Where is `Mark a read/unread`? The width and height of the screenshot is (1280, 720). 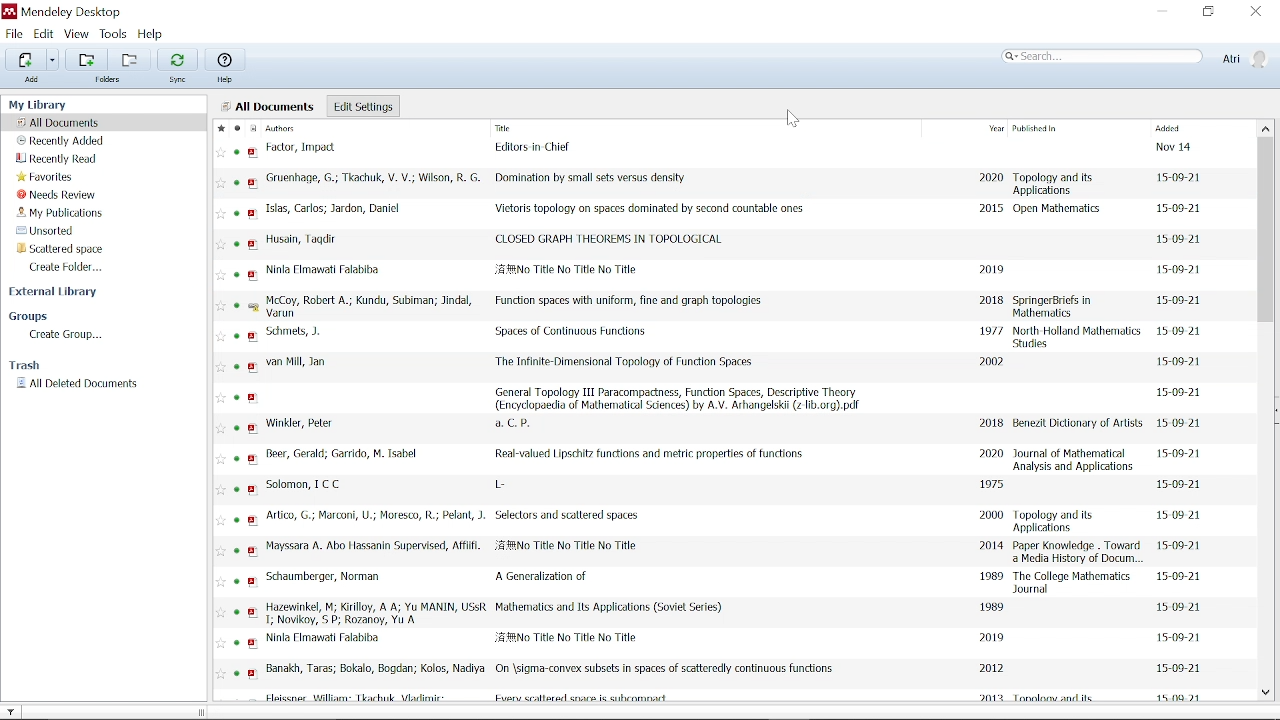
Mark a read/unread is located at coordinates (237, 129).